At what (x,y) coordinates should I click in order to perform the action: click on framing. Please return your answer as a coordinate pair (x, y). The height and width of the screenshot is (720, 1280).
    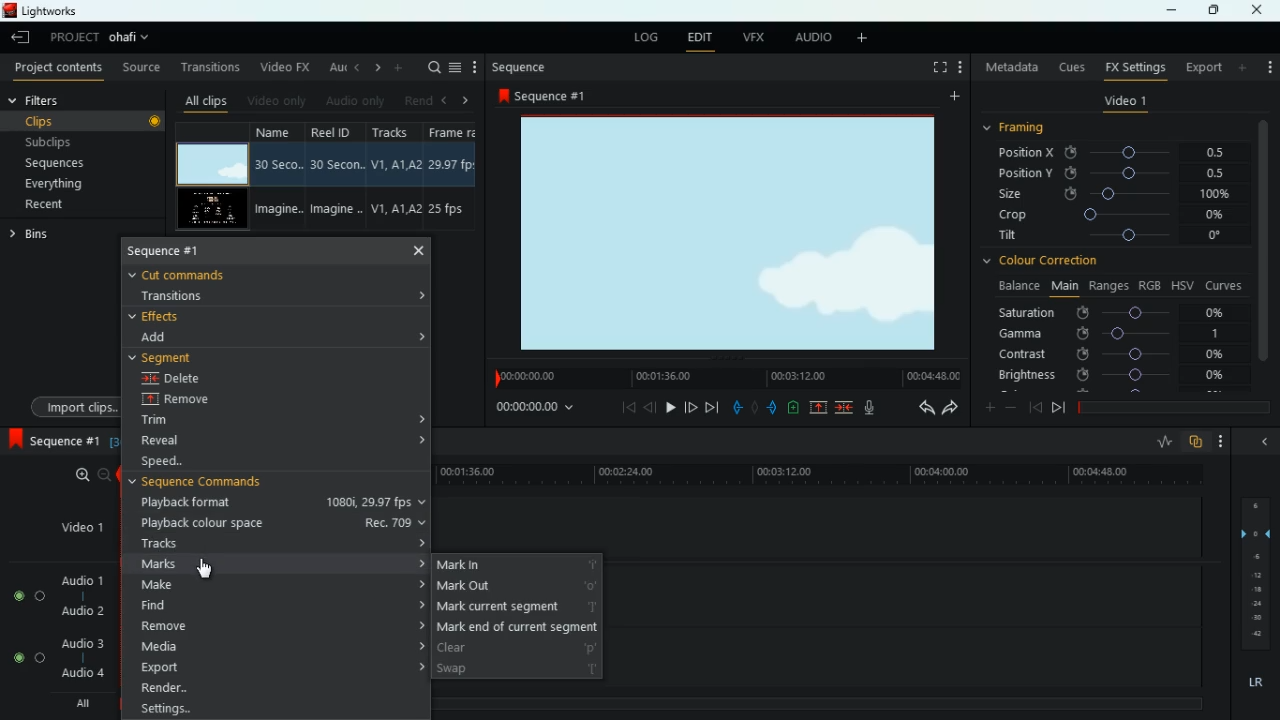
    Looking at the image, I should click on (1016, 128).